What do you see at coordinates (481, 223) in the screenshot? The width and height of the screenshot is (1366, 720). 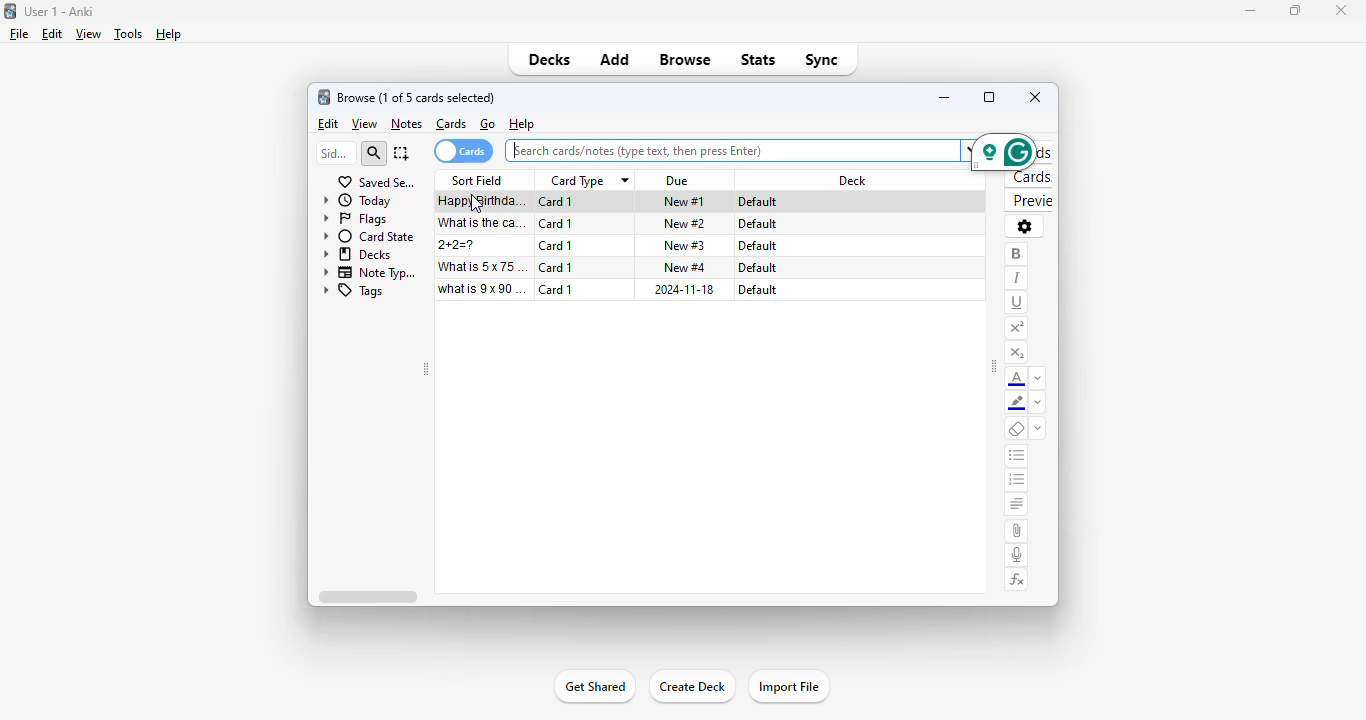 I see `what is the capital of France?` at bounding box center [481, 223].